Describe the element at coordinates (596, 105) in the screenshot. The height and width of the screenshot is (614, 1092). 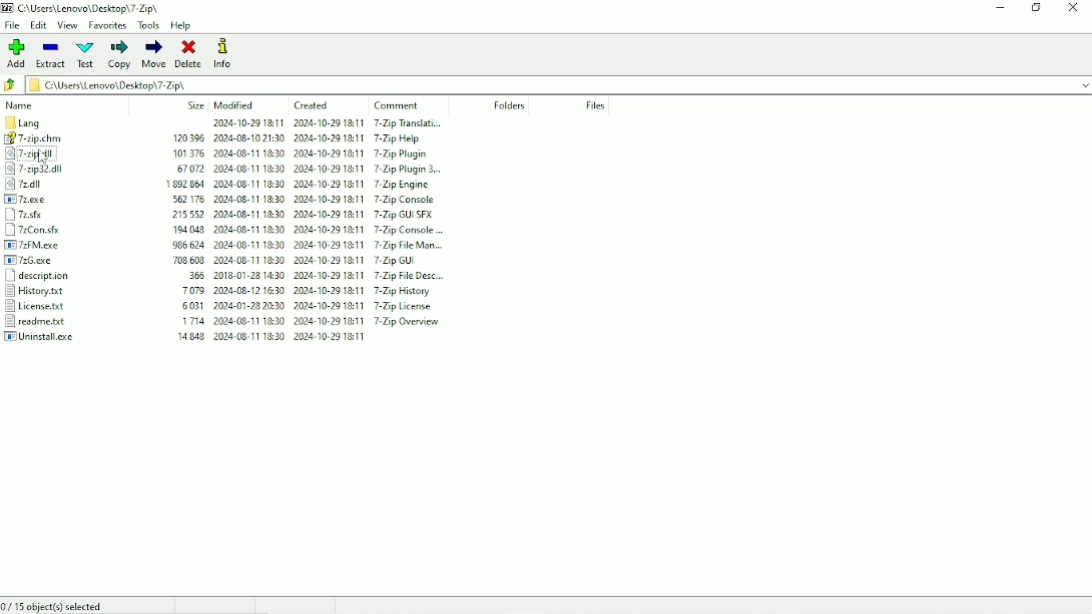
I see `Files` at that location.